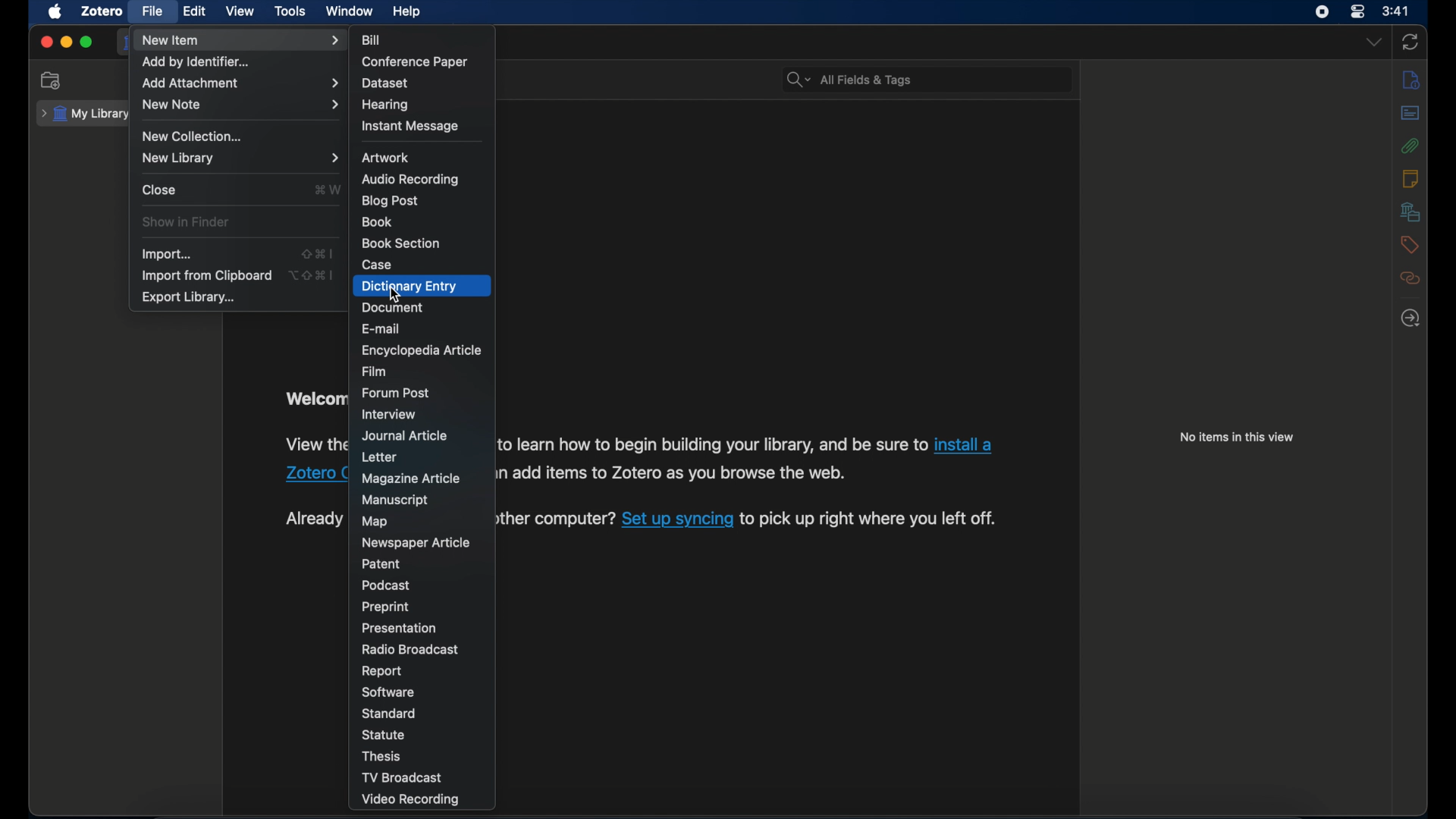 This screenshot has width=1456, height=819. I want to click on my library, so click(86, 112).